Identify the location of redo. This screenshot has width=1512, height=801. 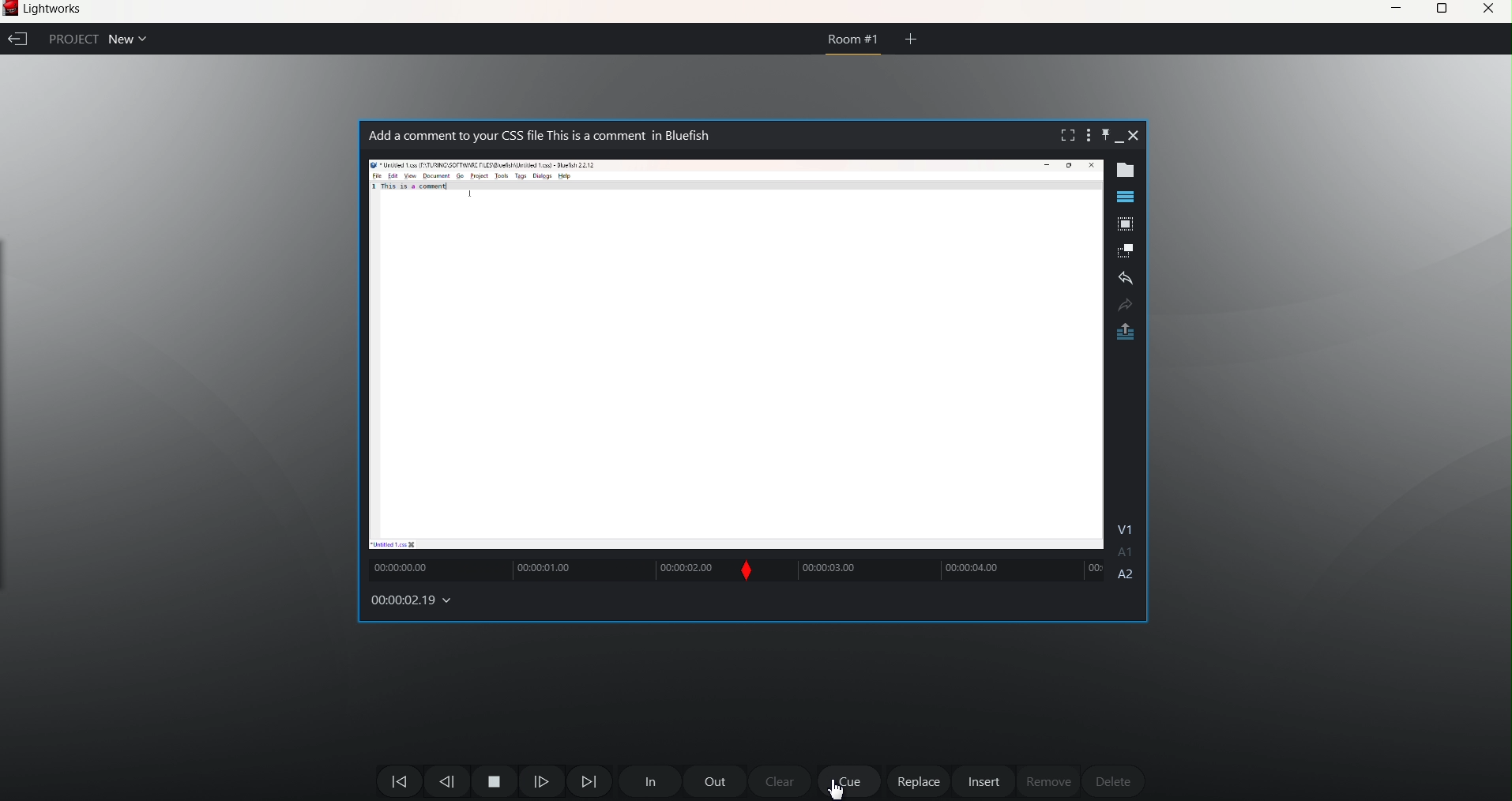
(1124, 305).